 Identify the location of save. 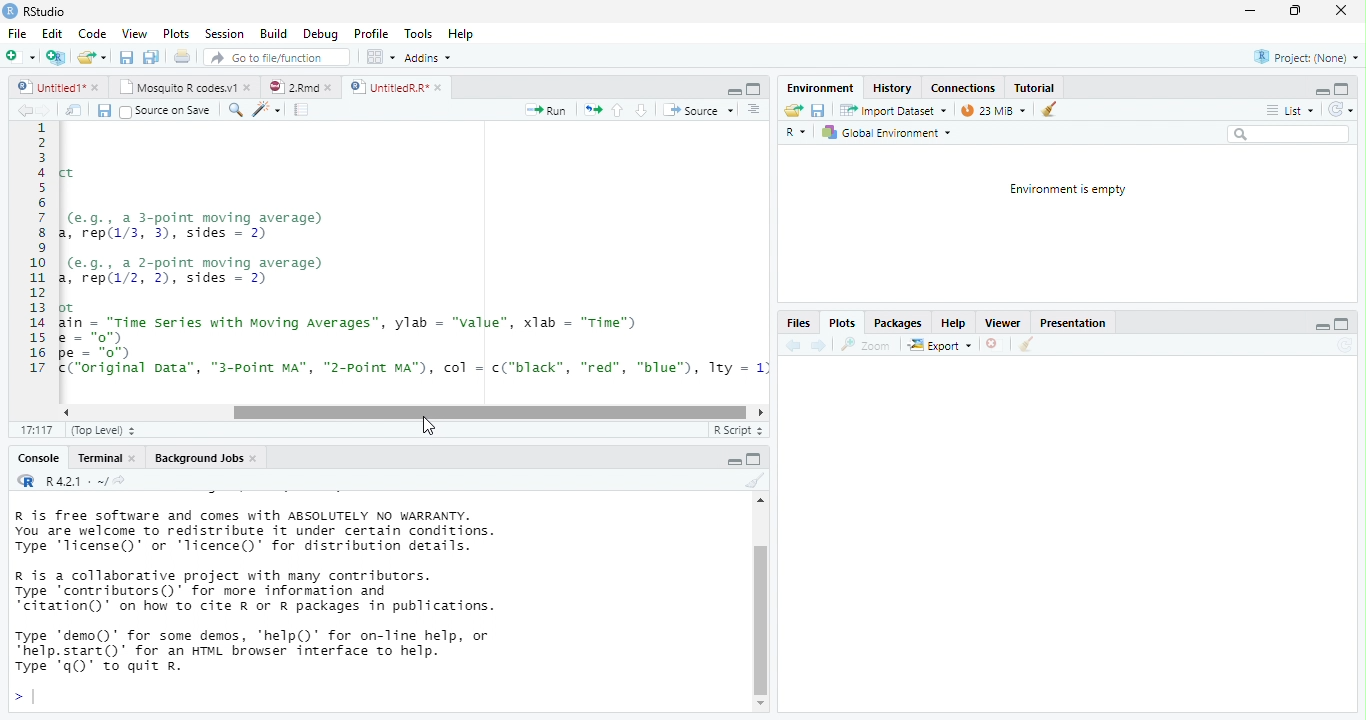
(103, 111).